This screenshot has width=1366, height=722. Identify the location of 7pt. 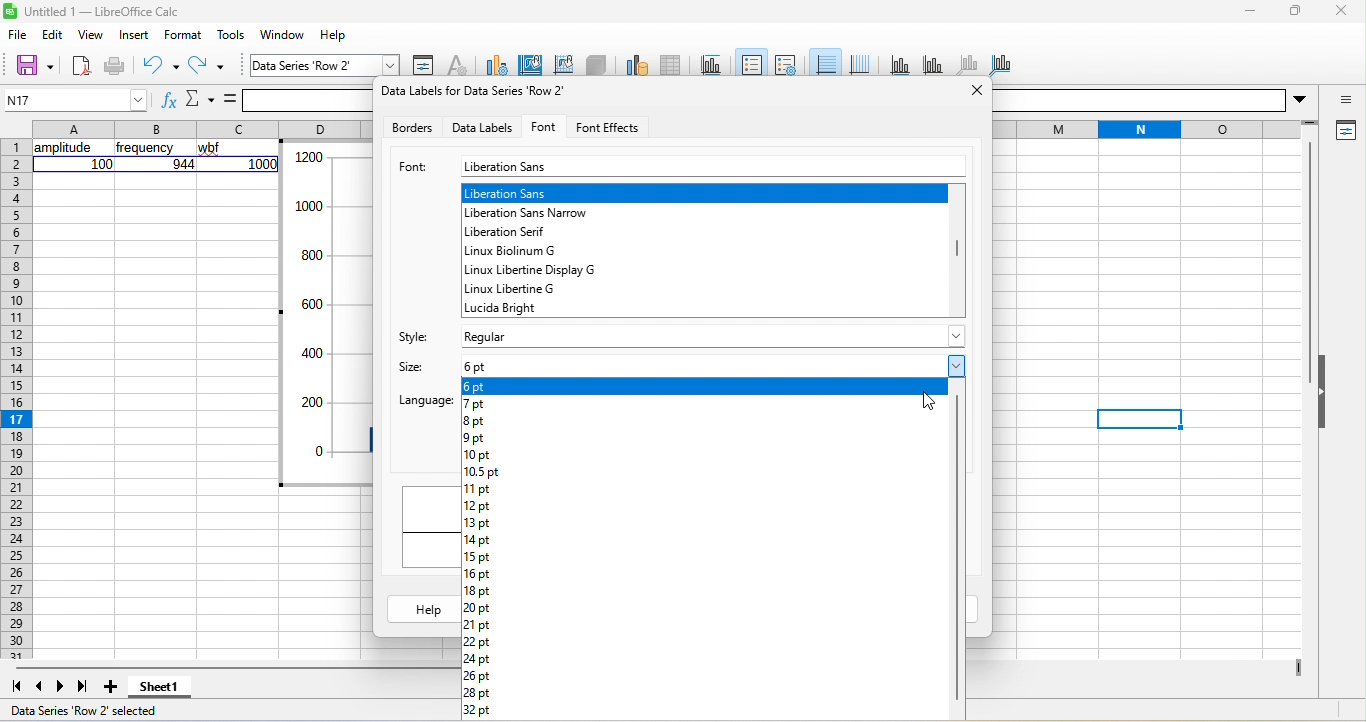
(476, 403).